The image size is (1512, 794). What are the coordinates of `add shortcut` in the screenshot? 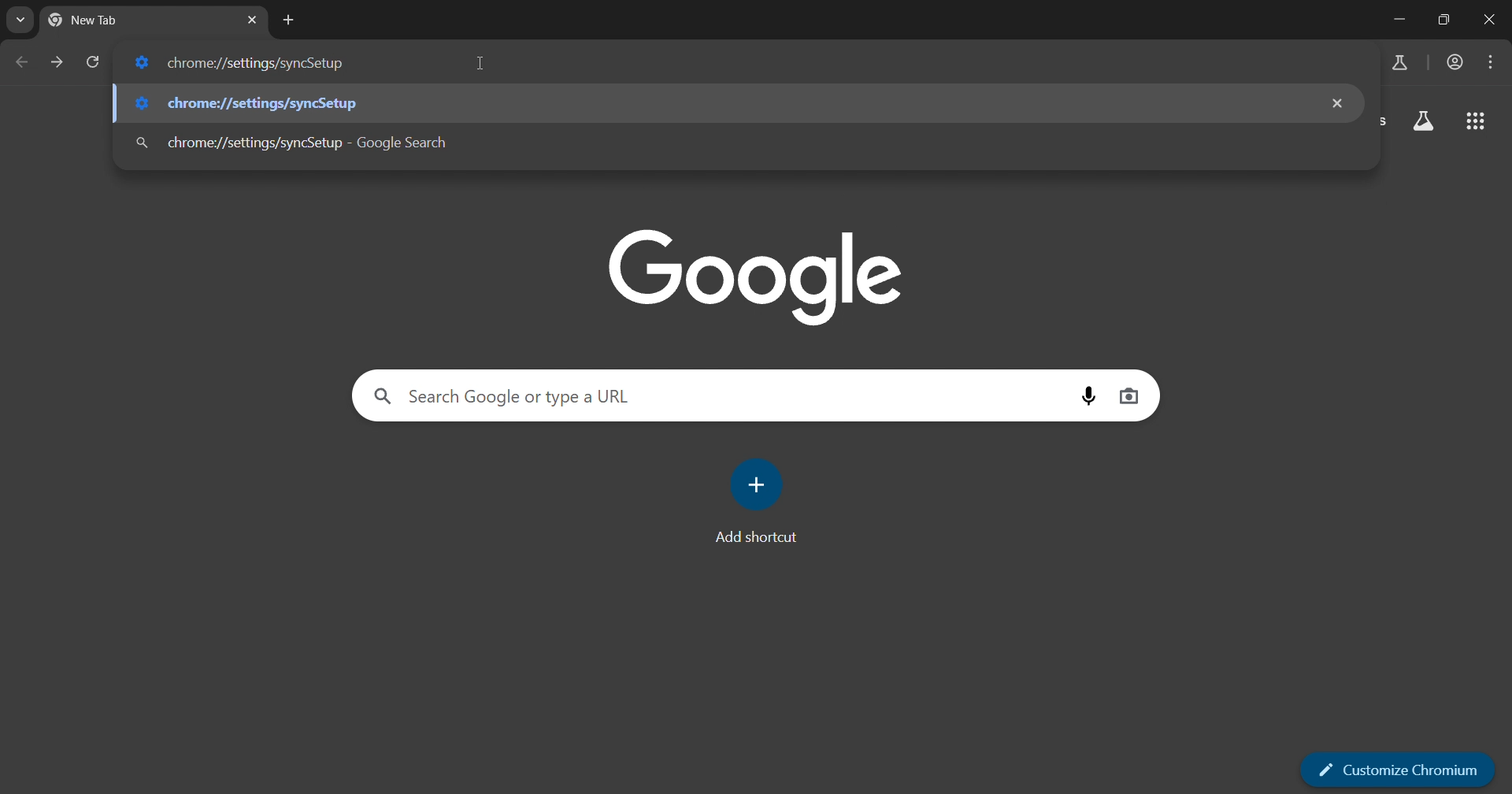 It's located at (760, 499).